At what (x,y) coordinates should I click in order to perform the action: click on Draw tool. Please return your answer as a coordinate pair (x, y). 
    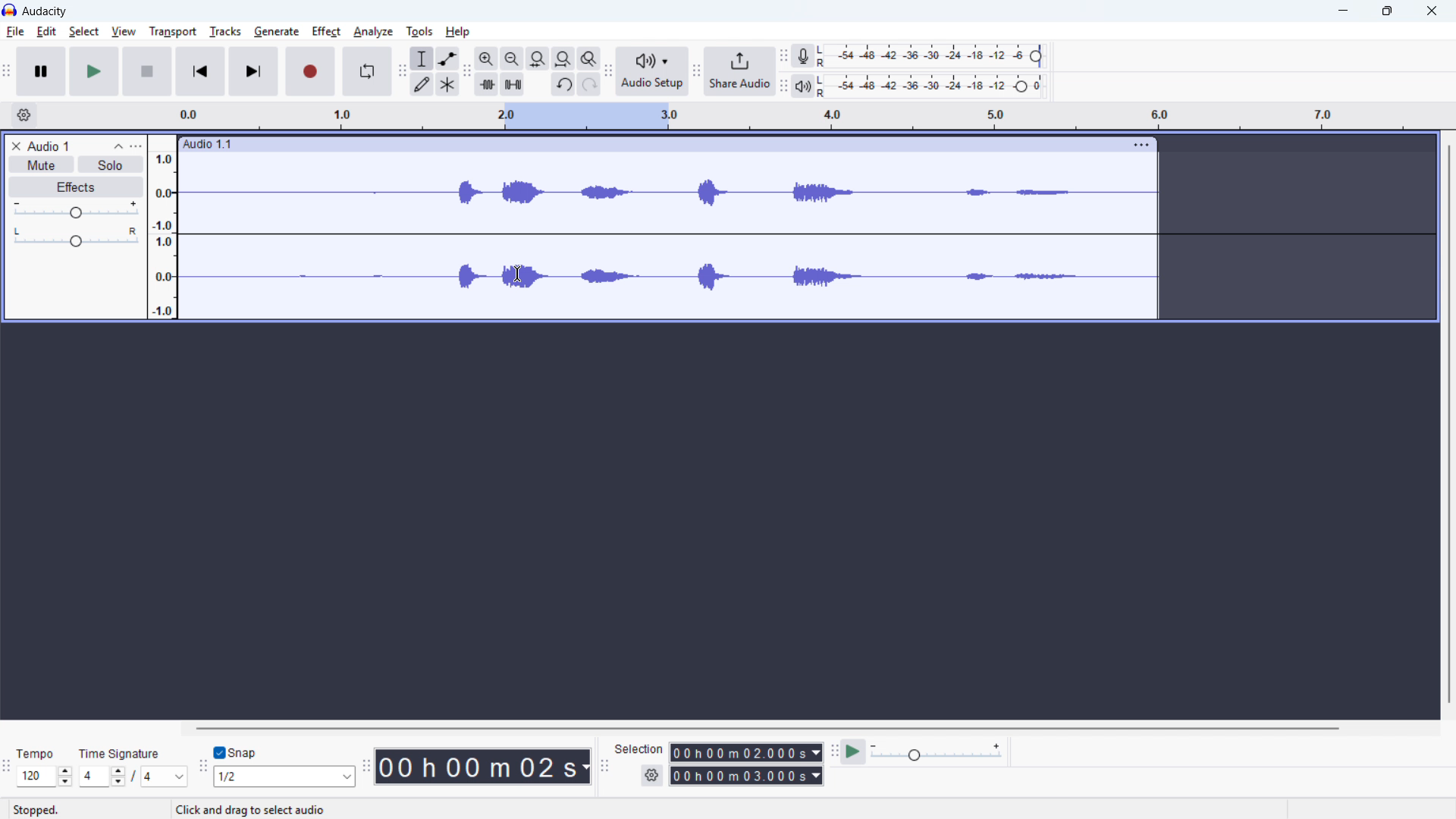
    Looking at the image, I should click on (422, 83).